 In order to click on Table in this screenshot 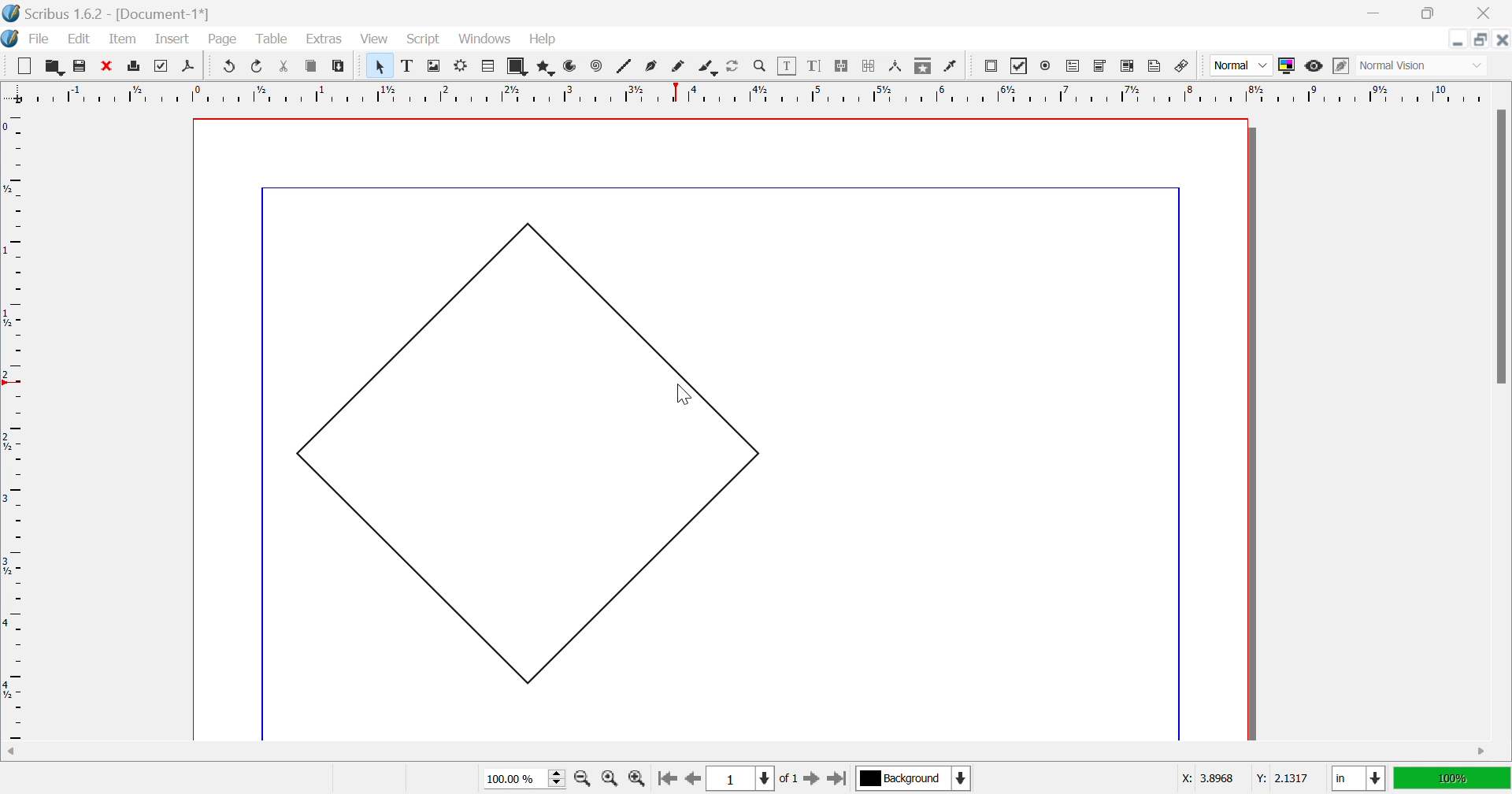, I will do `click(489, 67)`.